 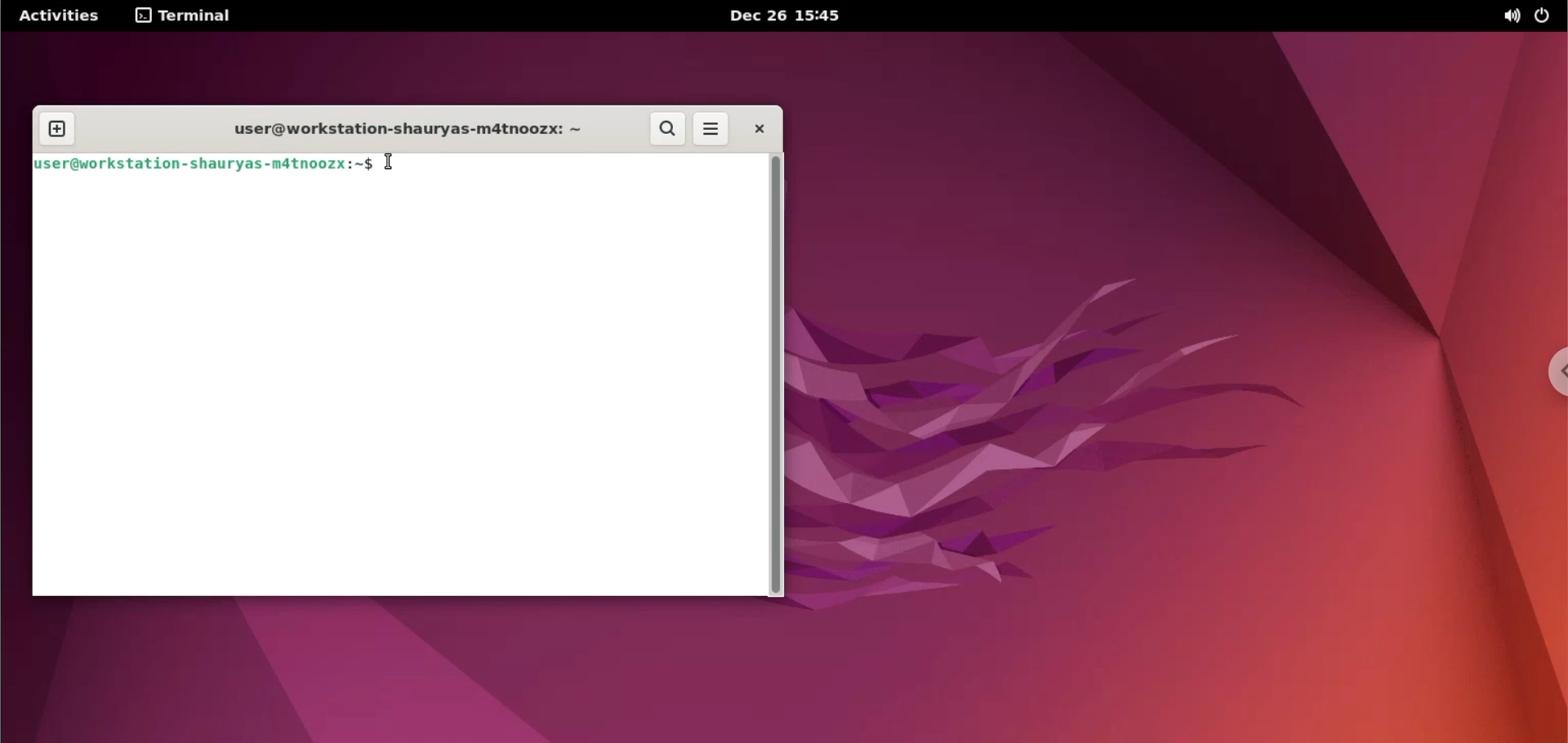 What do you see at coordinates (205, 166) in the screenshot?
I see `user@workstation-shaurya-m4tnoozx:~$` at bounding box center [205, 166].